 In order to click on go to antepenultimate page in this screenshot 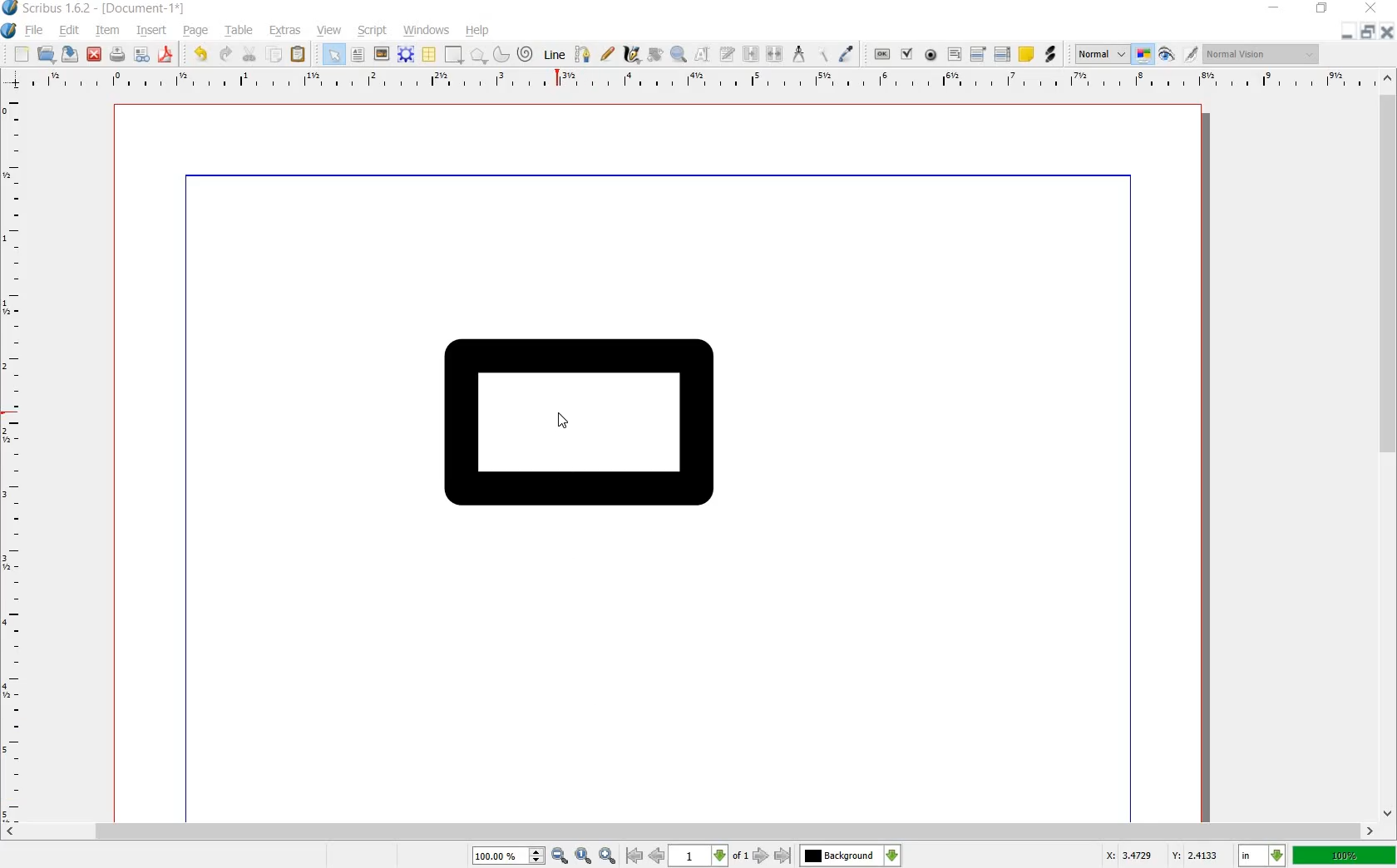, I will do `click(634, 856)`.